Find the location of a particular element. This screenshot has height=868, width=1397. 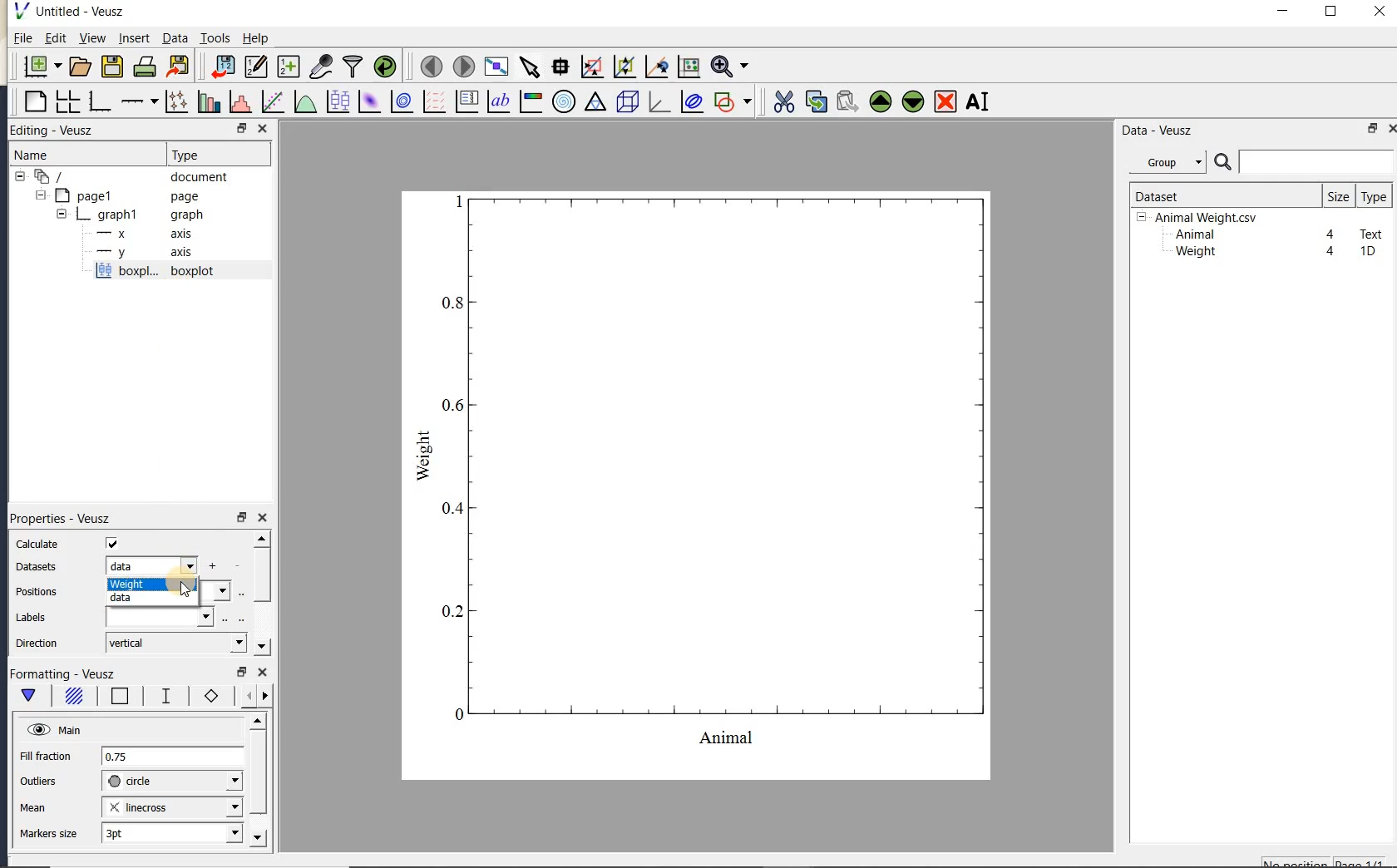

whisker line is located at coordinates (163, 696).